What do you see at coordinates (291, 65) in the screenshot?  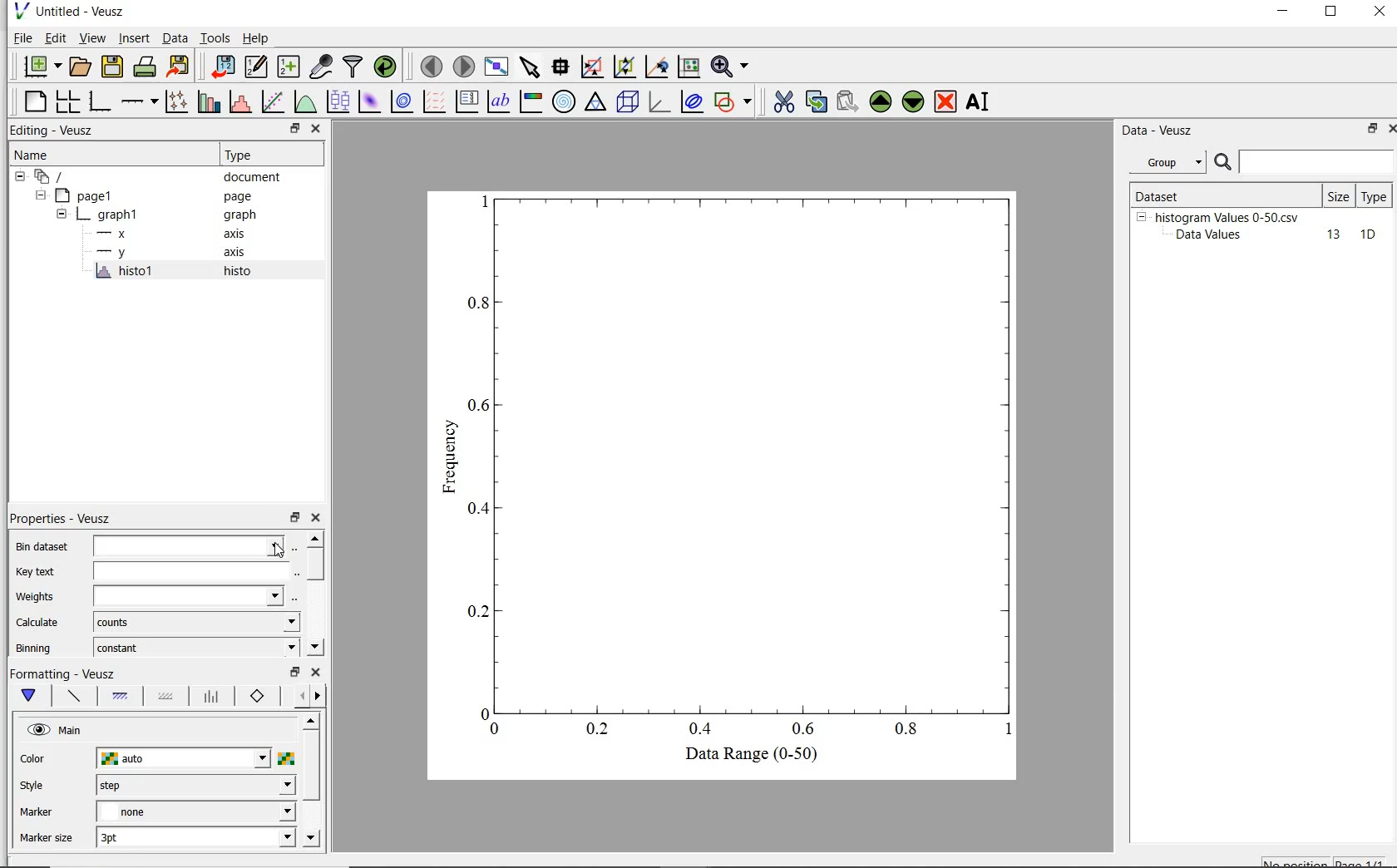 I see `create new datasets using ranges, parametrically or as functions of existing datasets` at bounding box center [291, 65].